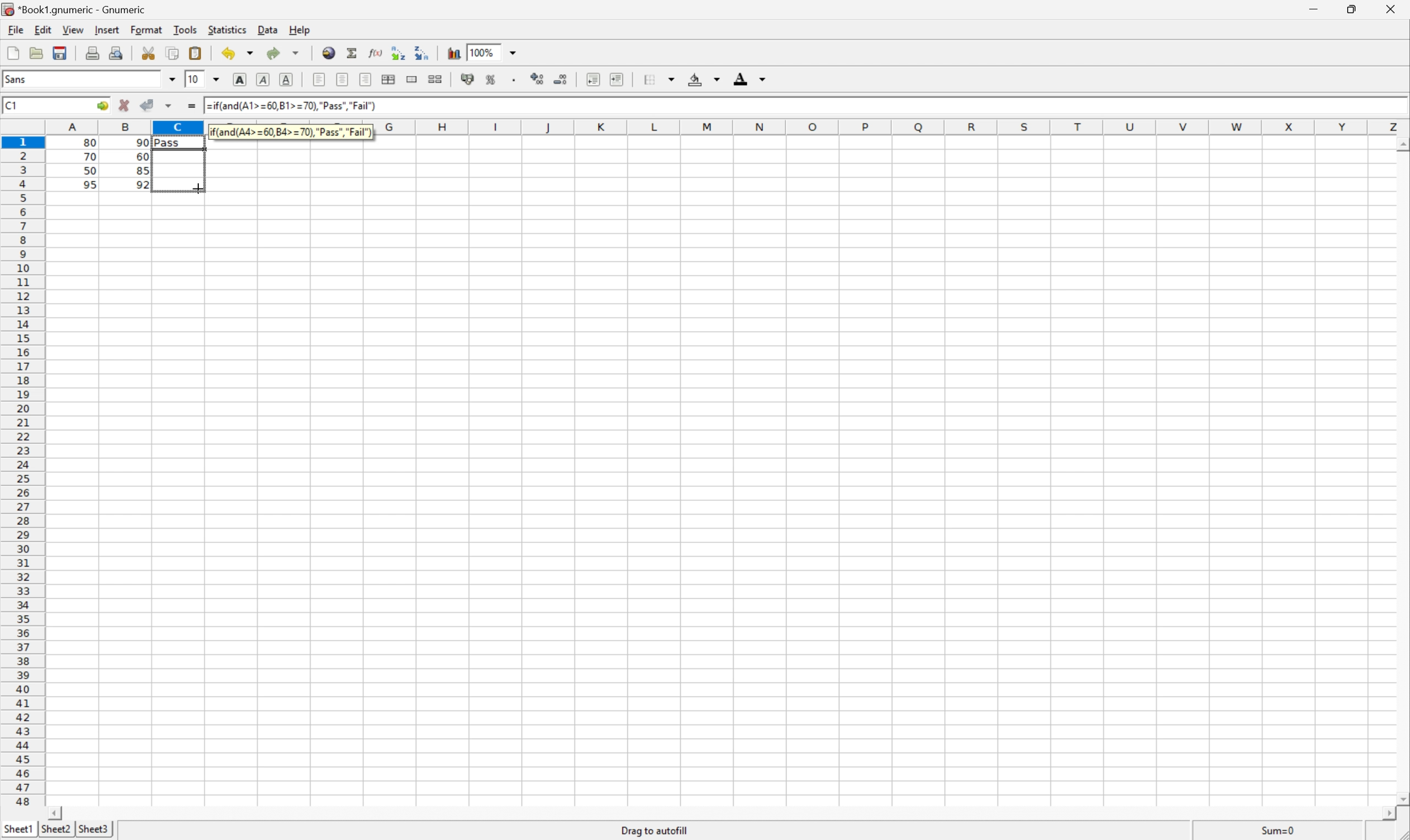 This screenshot has height=840, width=1410. Describe the element at coordinates (437, 79) in the screenshot. I see `Split merged ranges of cells` at that location.